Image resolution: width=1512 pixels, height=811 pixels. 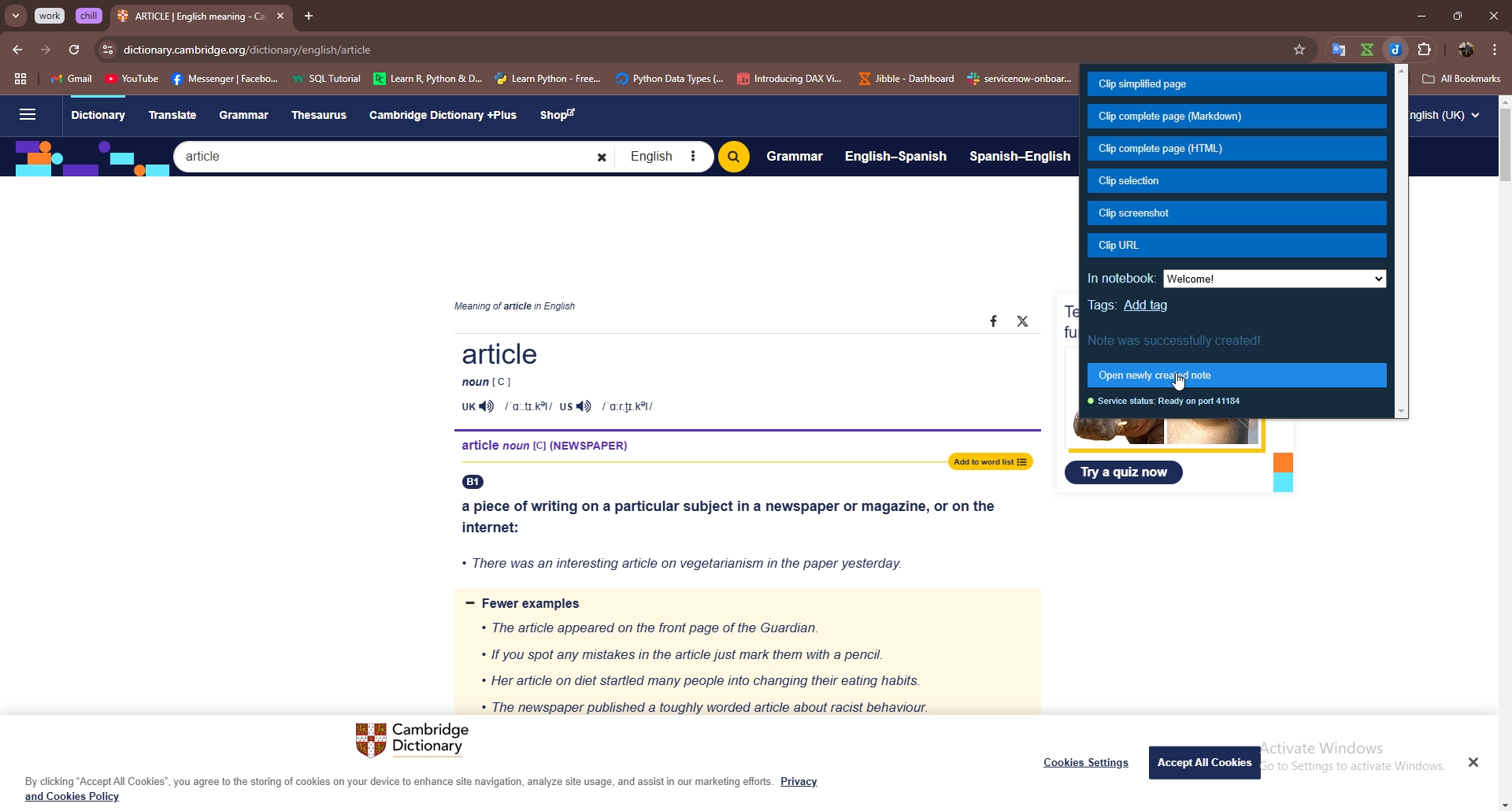 What do you see at coordinates (1237, 213) in the screenshot?
I see `clip screenshot` at bounding box center [1237, 213].